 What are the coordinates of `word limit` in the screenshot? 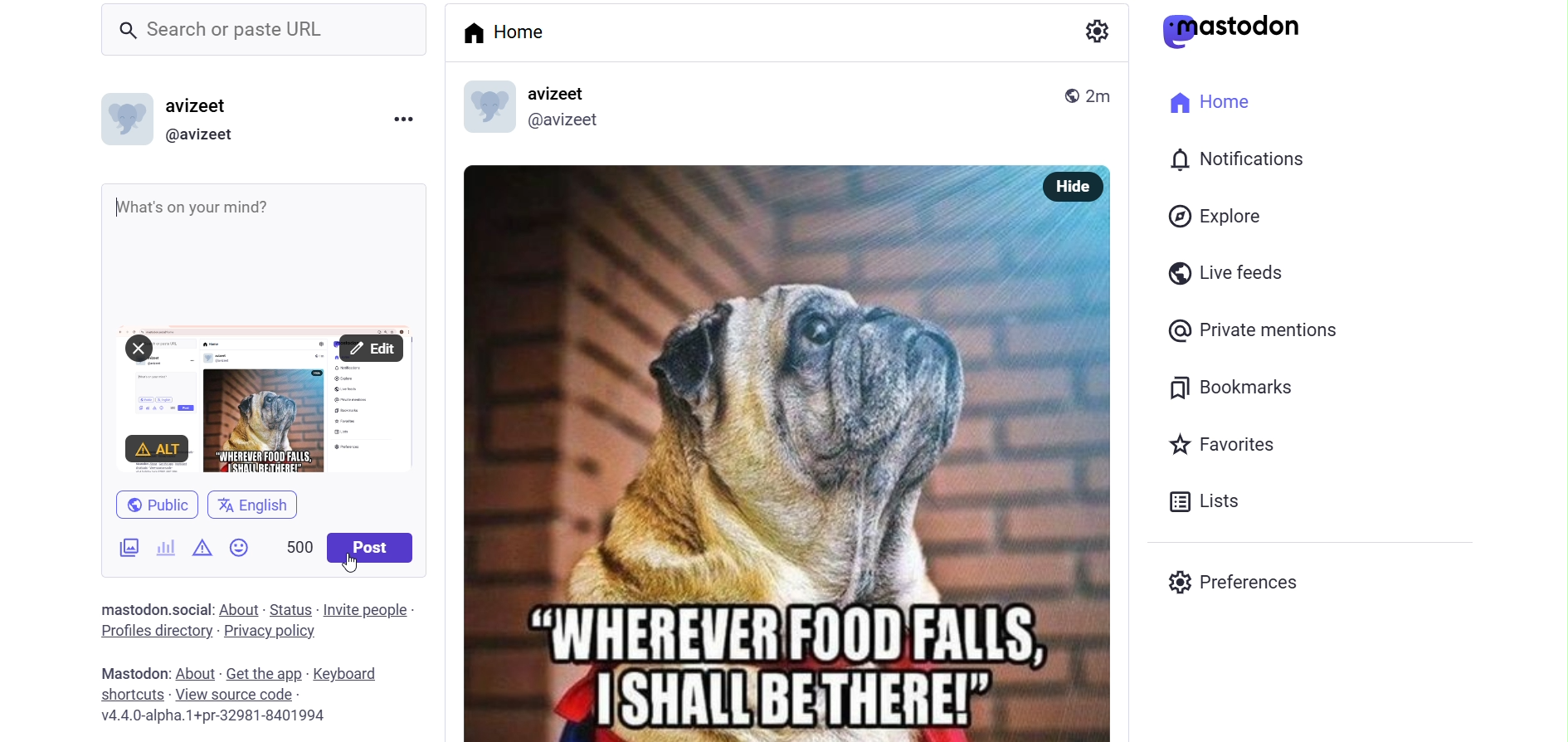 It's located at (295, 544).